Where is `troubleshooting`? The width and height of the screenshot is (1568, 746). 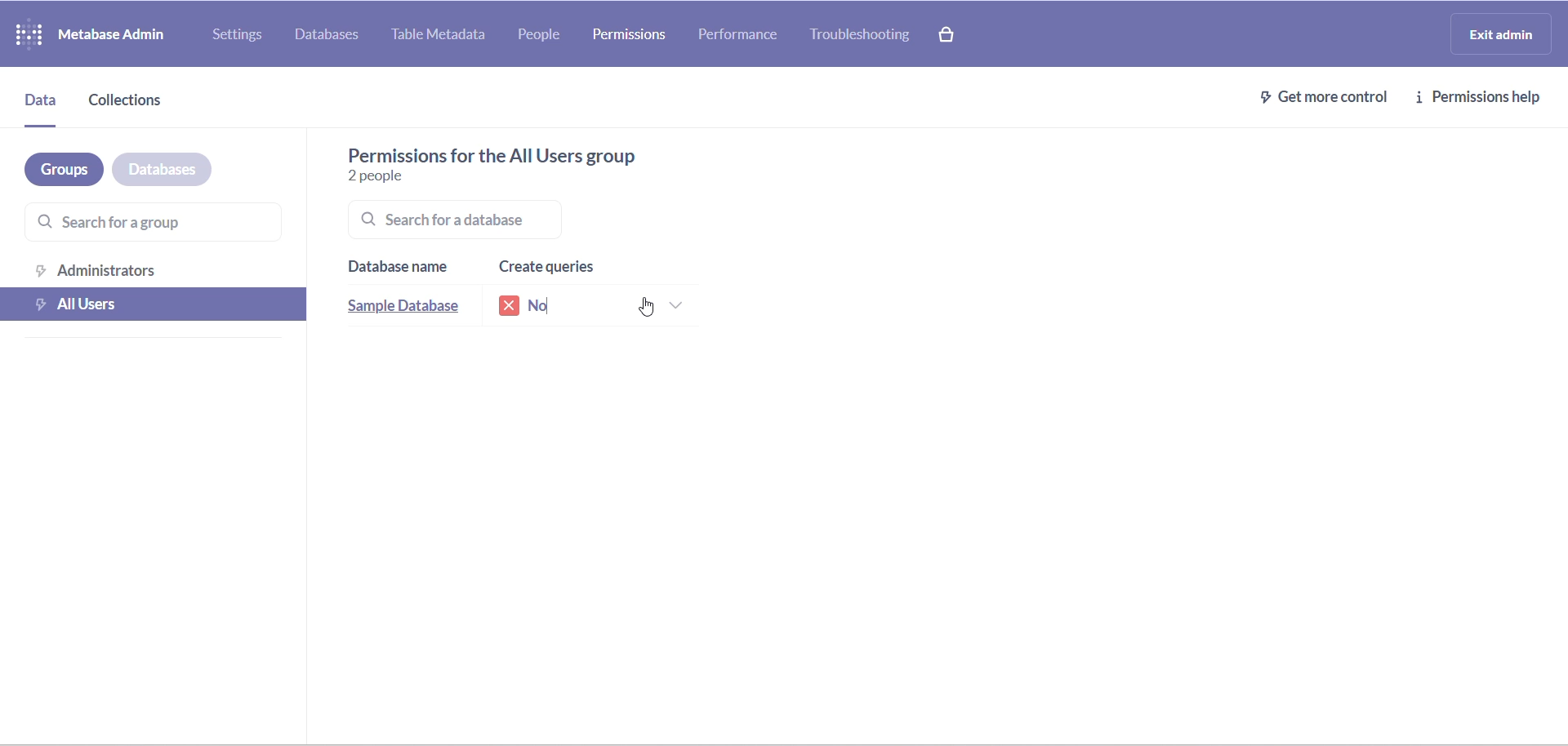
troubleshooting is located at coordinates (868, 37).